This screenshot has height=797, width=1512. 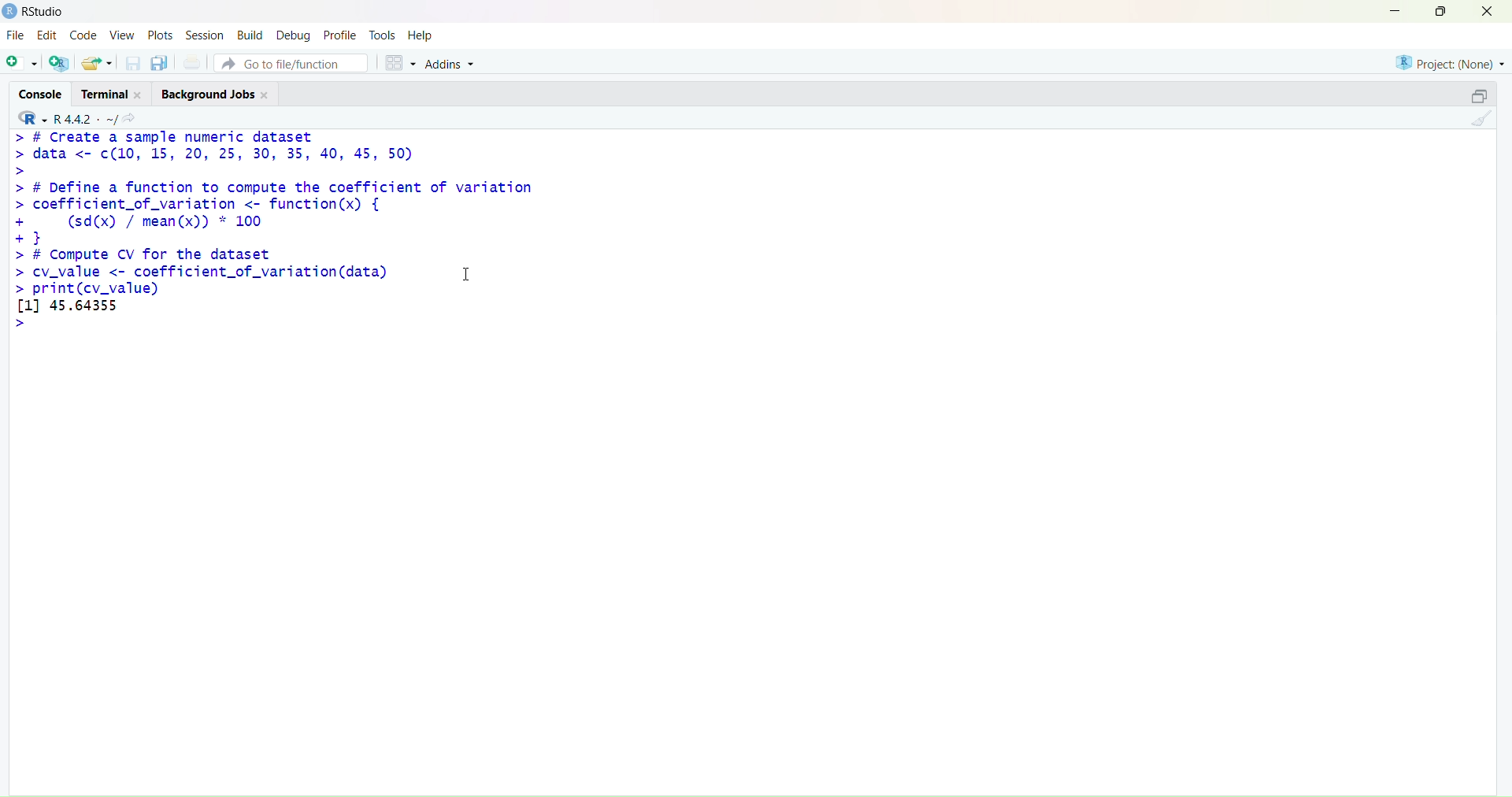 What do you see at coordinates (274, 230) in the screenshot?
I see `> # Create a sample numeric dataset

> data <- c(10, 15, 20, 25, 30, 35, 40, 45, 50)

>

> # Define a function to compute the coefficient of variation
> coefficient_of_variation <- function(x) {

+ (sd(x) / mean(x)) * 100

+1}

> # Compute CV for the dataset

> cv_value <- coefficient_of_variation(data) 1
> print(cv_value)

[1] 45.64355

>` at bounding box center [274, 230].